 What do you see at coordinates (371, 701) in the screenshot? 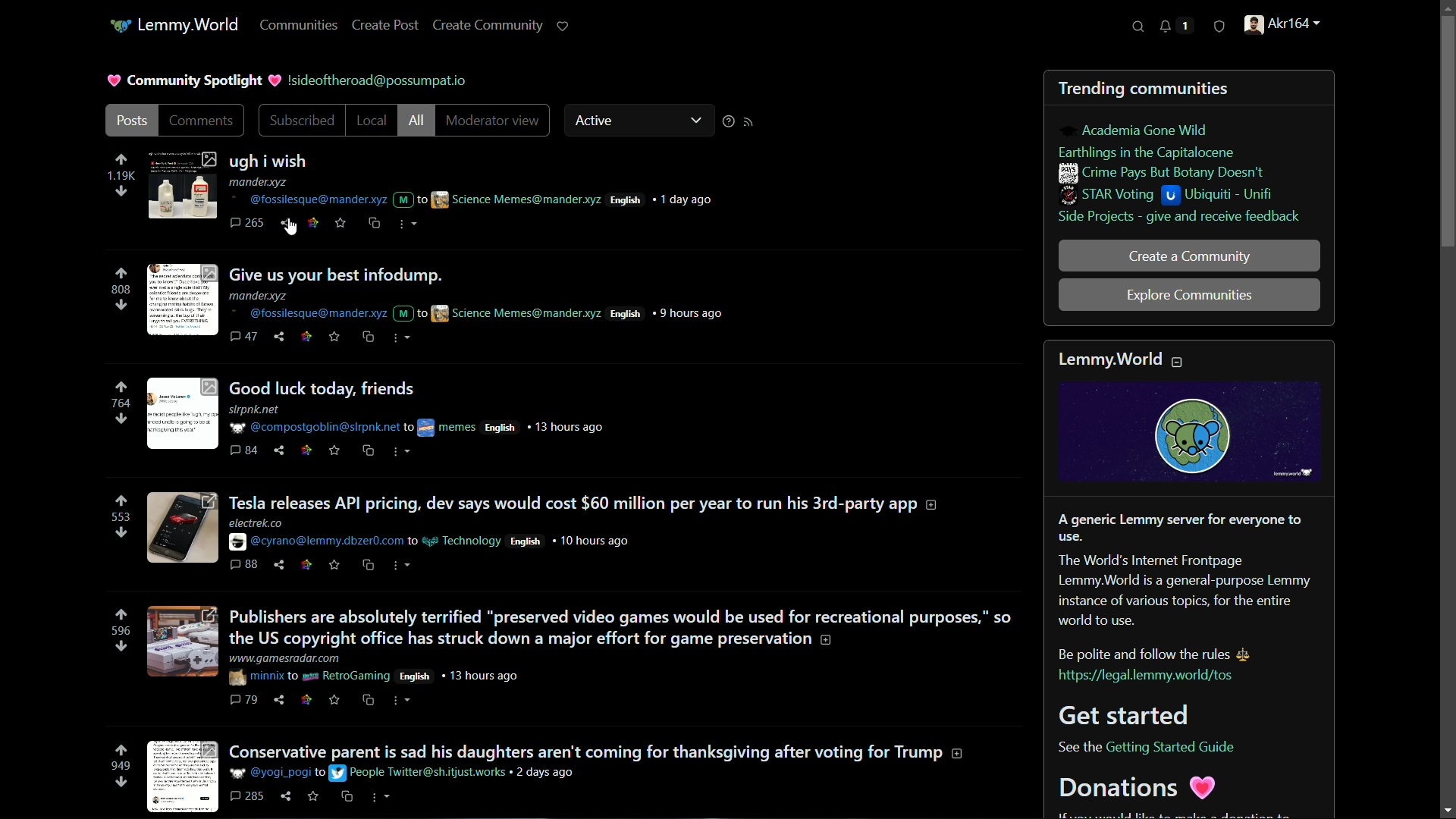
I see `cross psot` at bounding box center [371, 701].